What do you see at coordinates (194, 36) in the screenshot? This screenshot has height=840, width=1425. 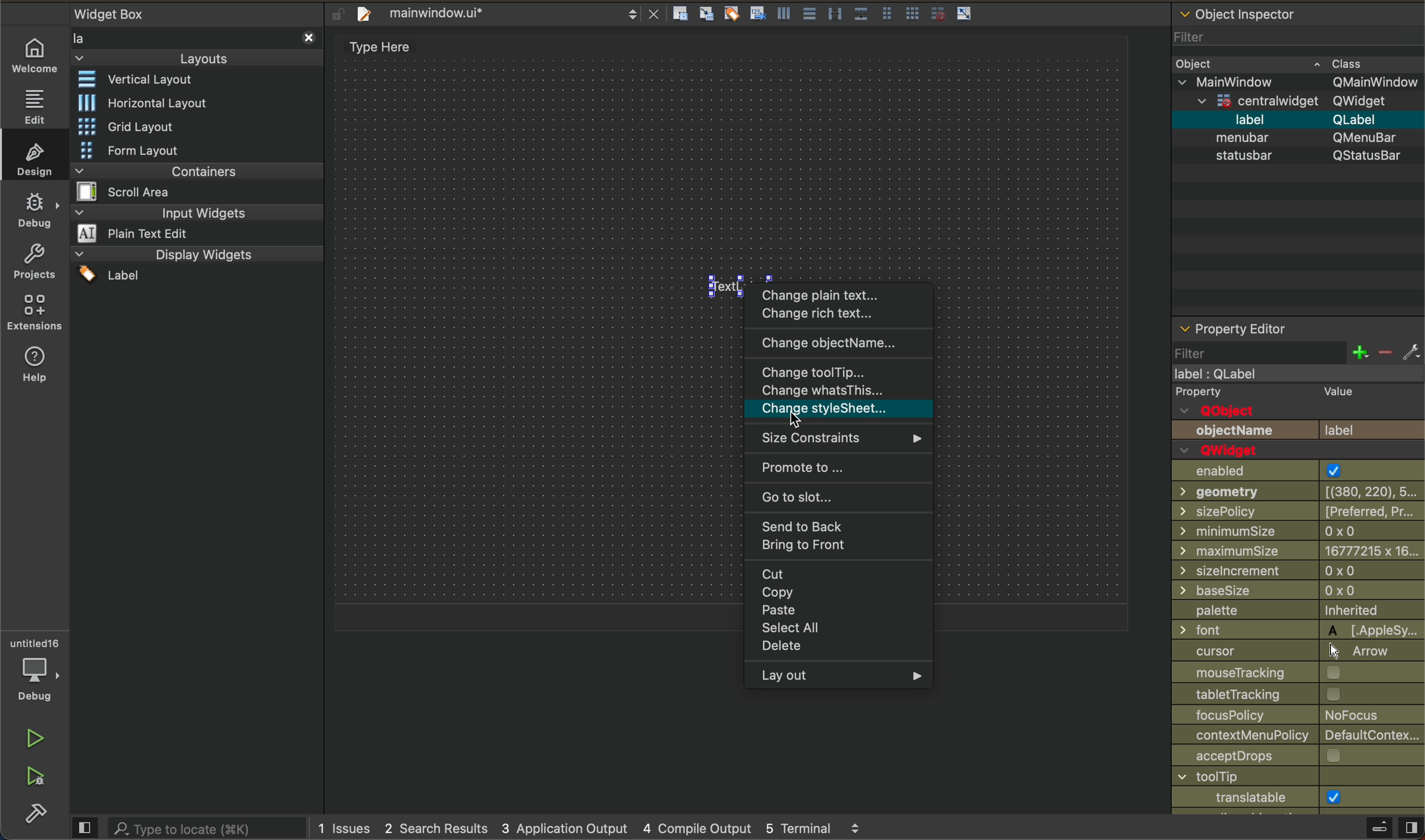 I see `widget box` at bounding box center [194, 36].